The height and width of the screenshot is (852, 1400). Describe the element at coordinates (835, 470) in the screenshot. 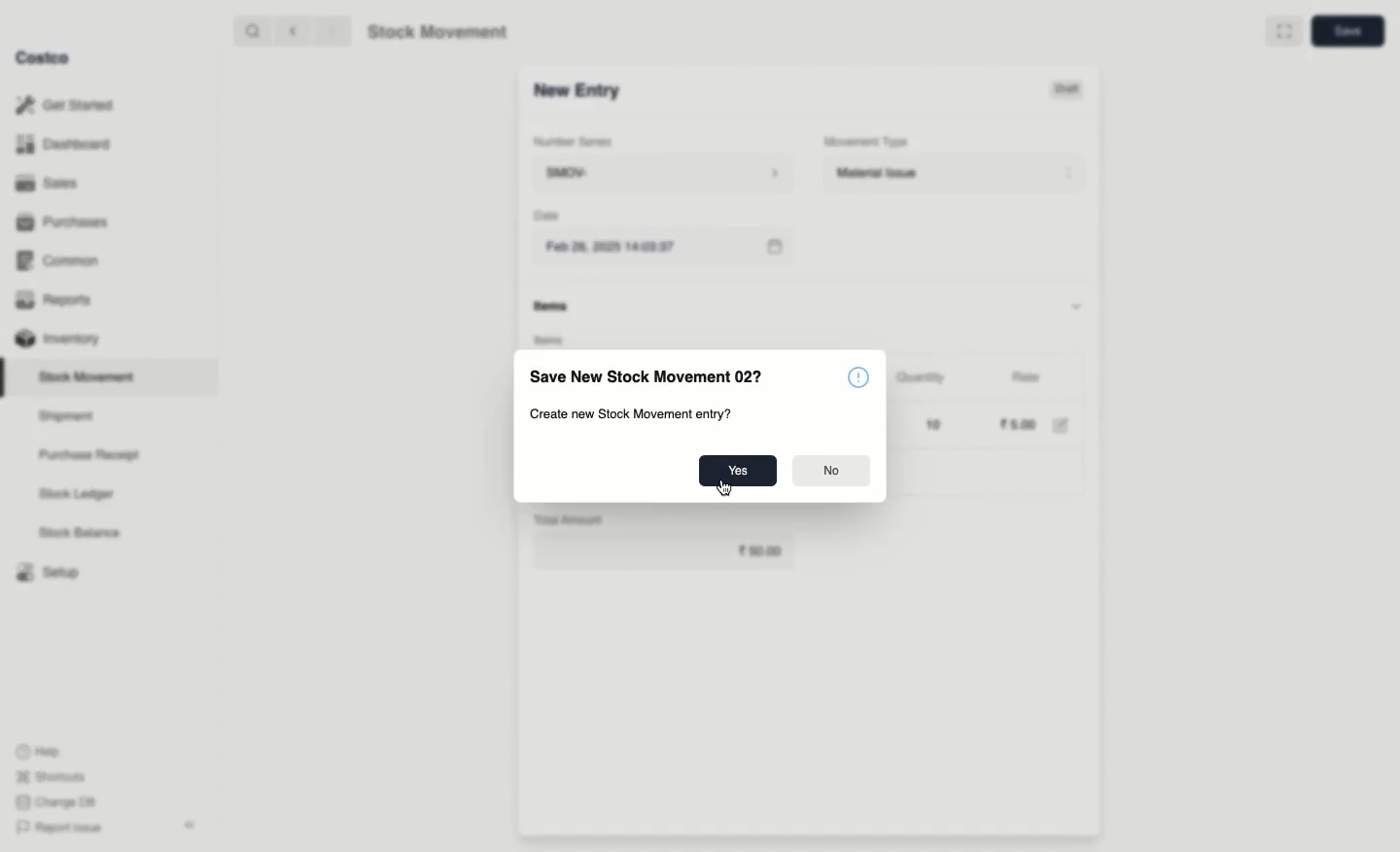

I see `No` at that location.